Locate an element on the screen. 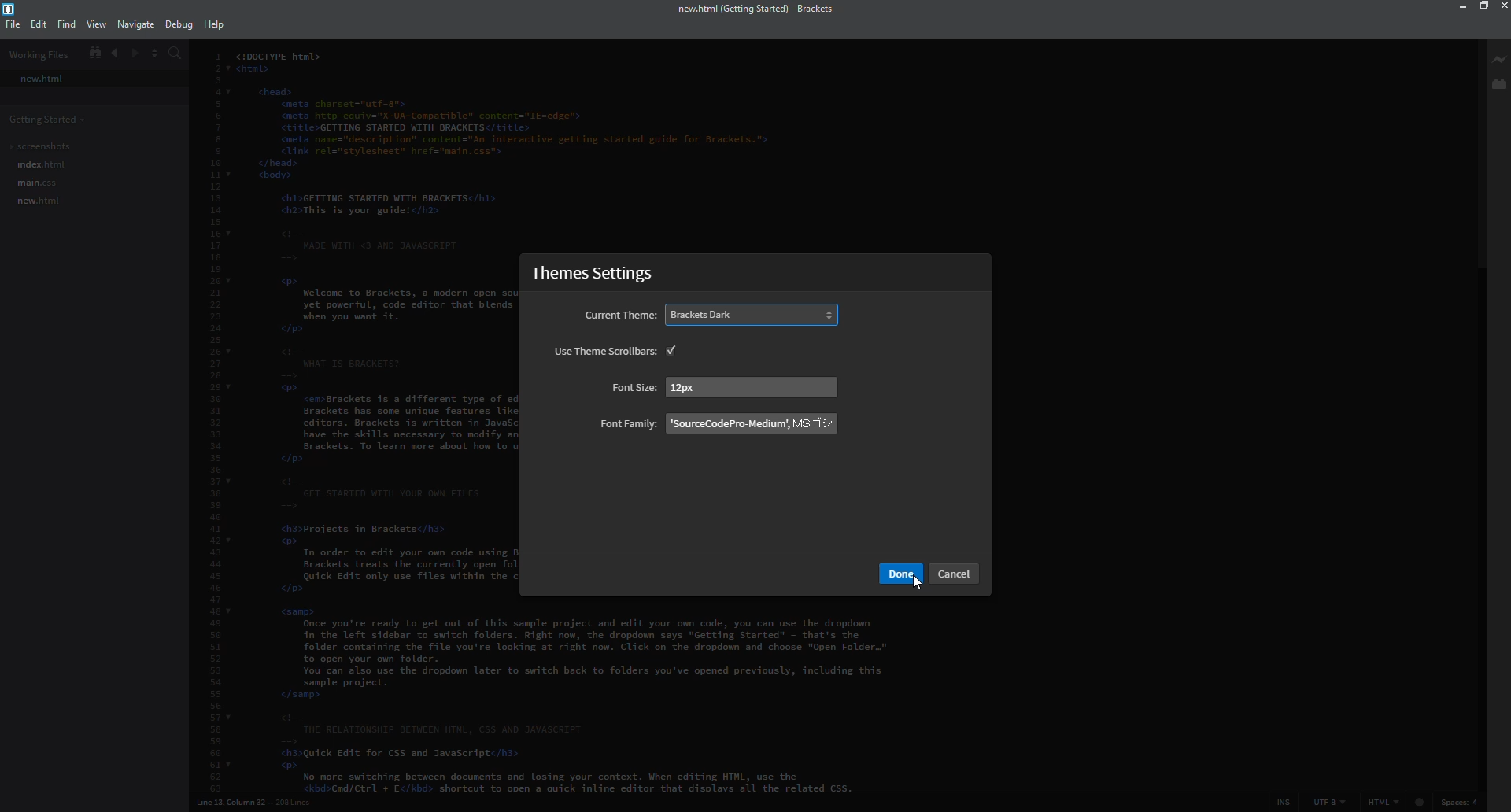  close is located at coordinates (1503, 7).